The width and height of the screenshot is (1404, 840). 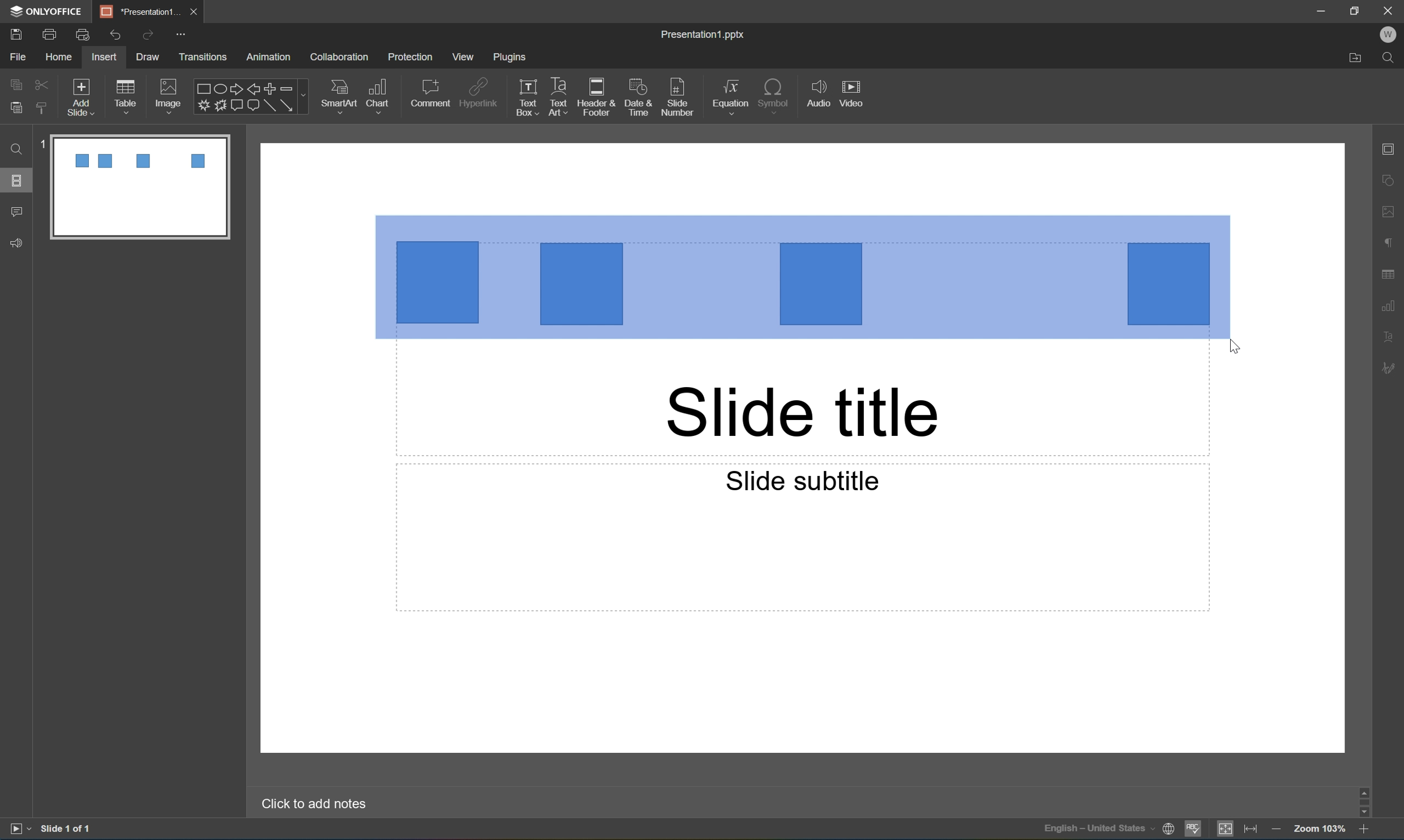 What do you see at coordinates (430, 93) in the screenshot?
I see `comment` at bounding box center [430, 93].